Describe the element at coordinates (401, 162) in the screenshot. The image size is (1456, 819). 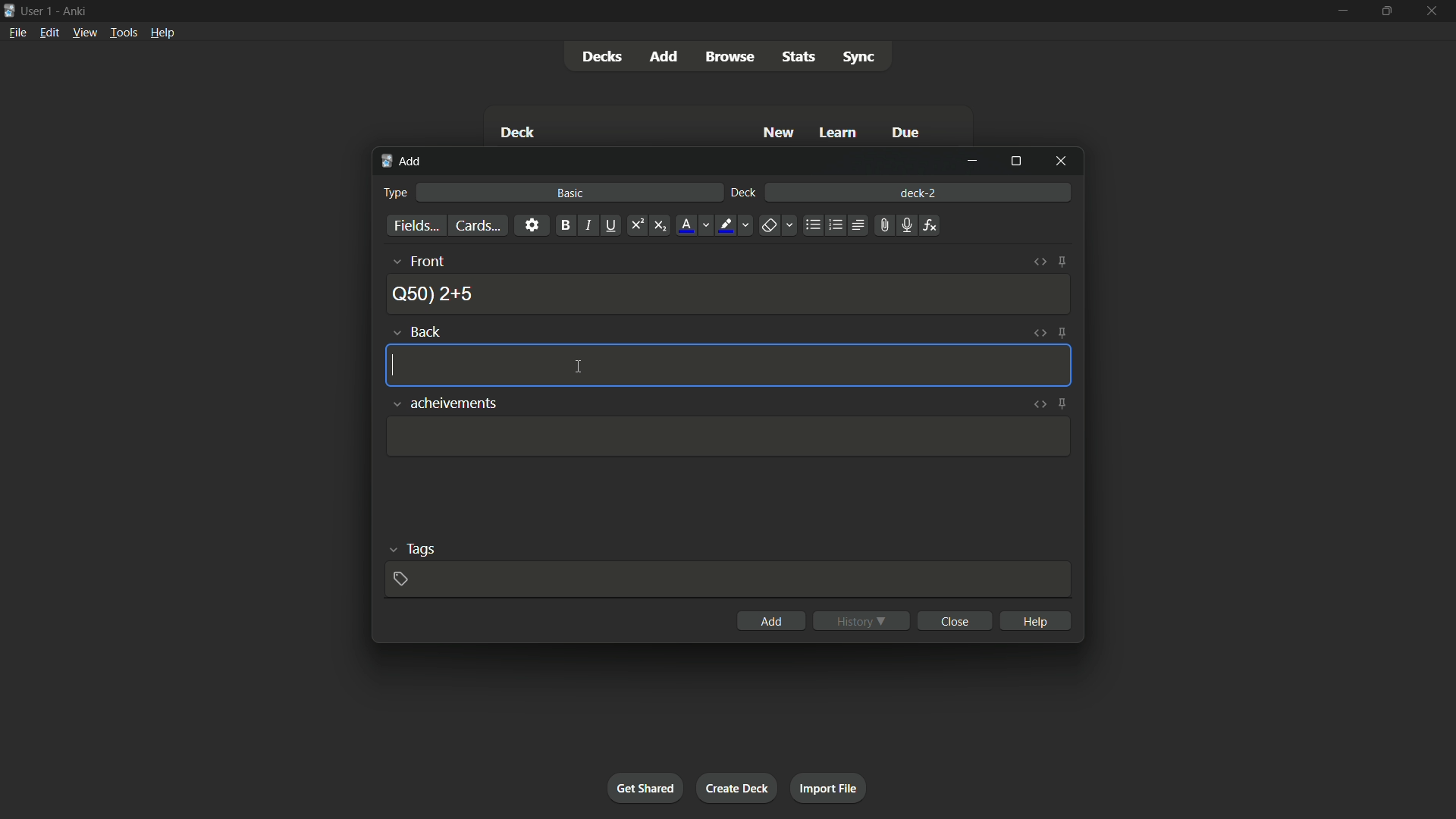
I see `add` at that location.